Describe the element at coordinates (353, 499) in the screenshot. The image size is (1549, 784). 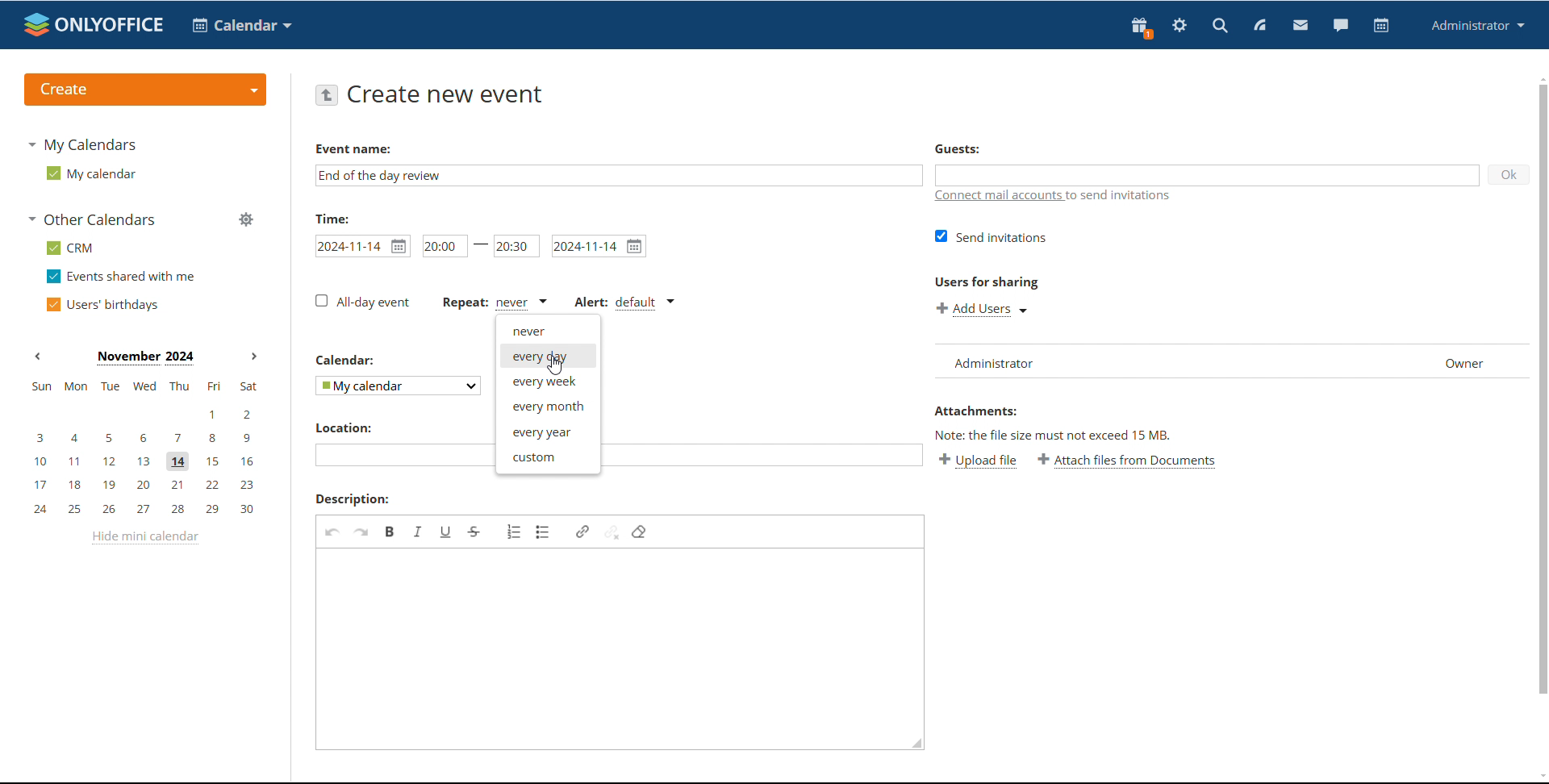
I see `description` at that location.